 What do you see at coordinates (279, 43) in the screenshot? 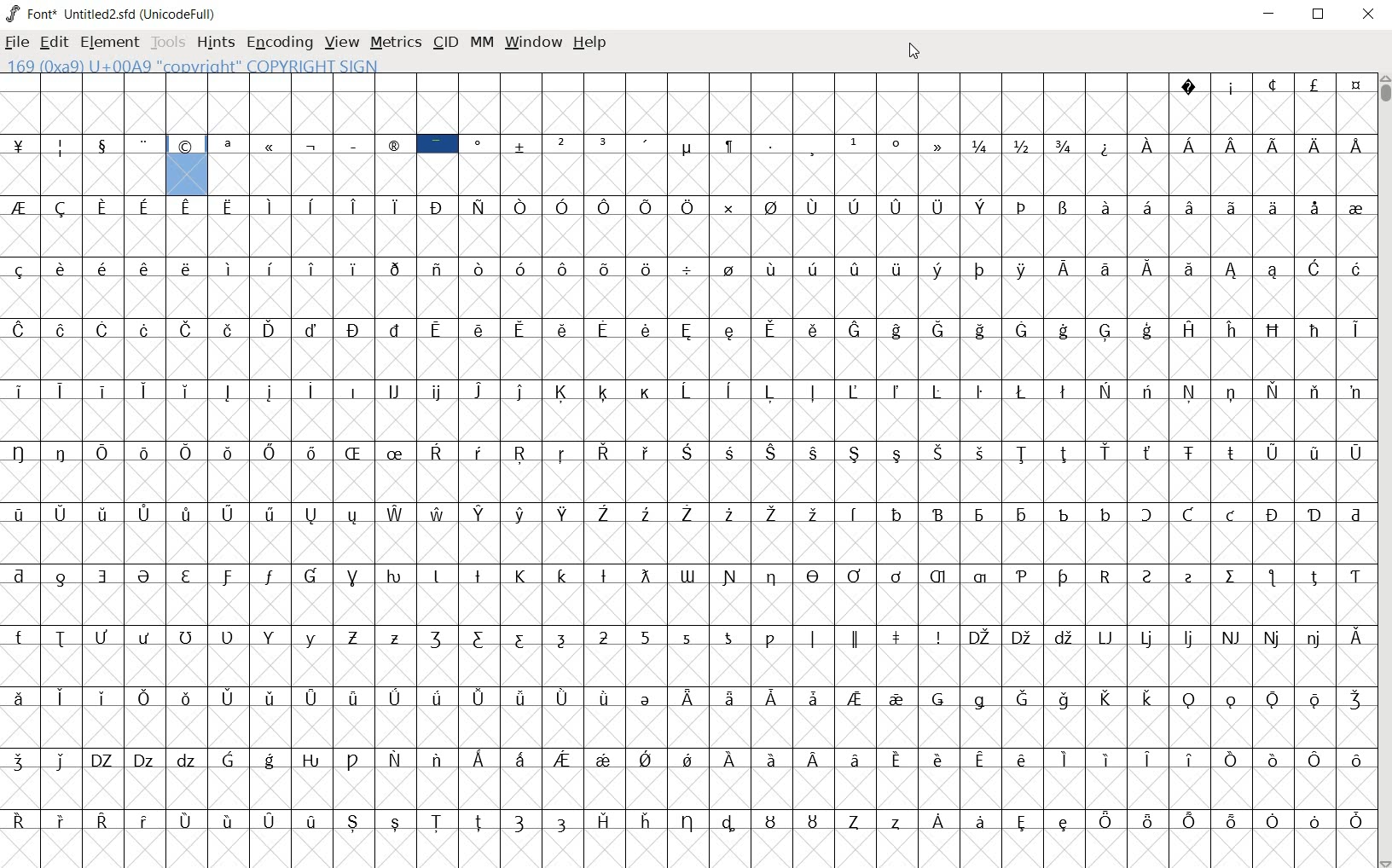
I see `Encoding` at bounding box center [279, 43].